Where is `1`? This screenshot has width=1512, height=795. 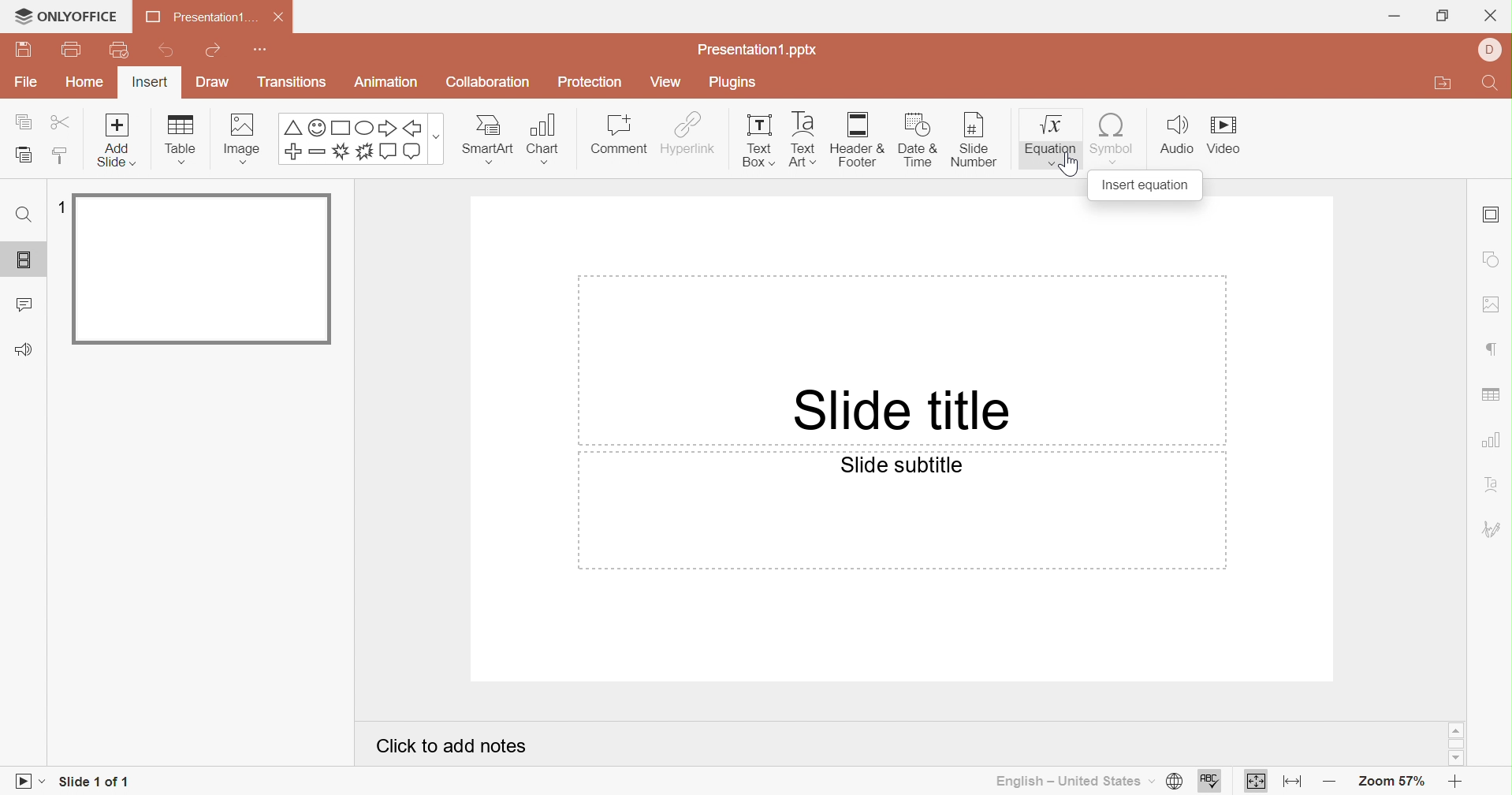 1 is located at coordinates (62, 206).